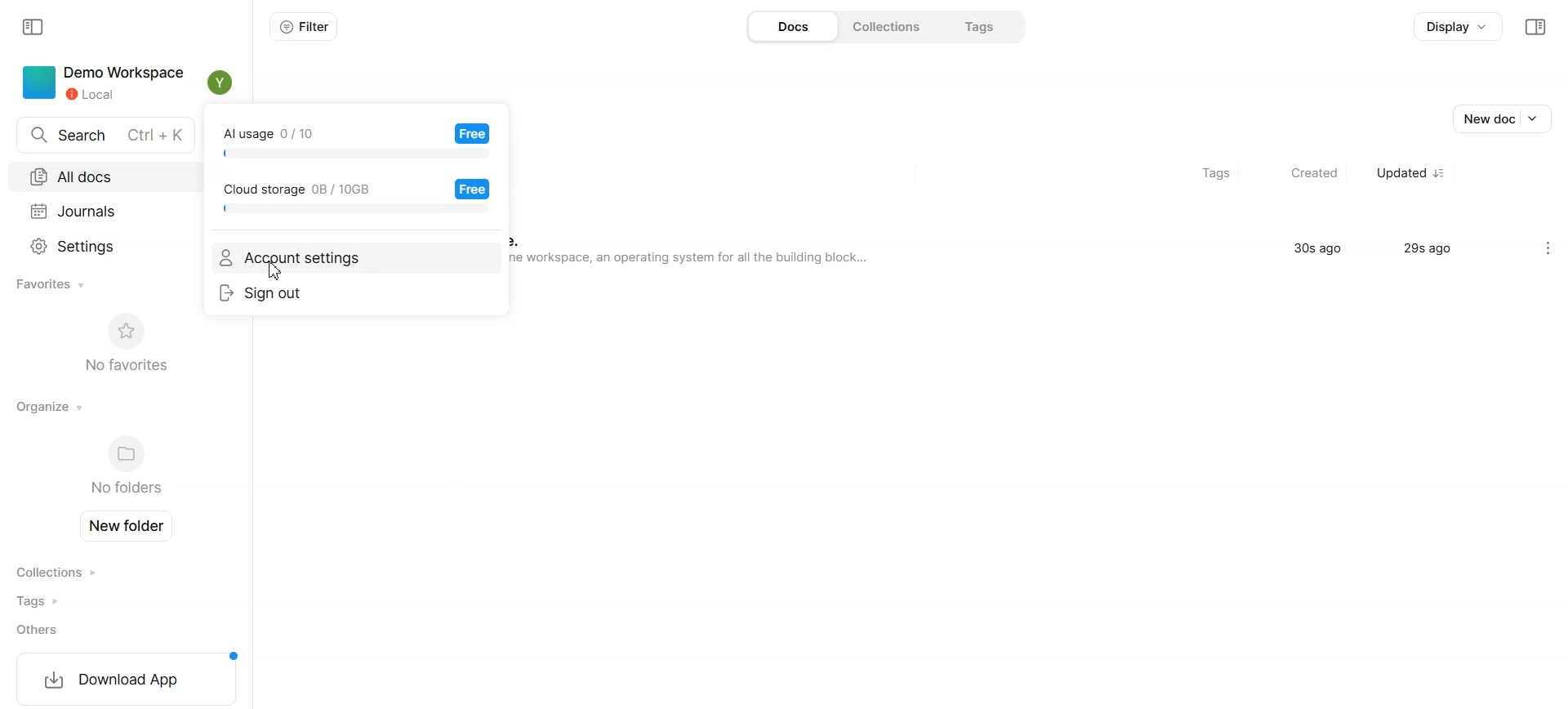  I want to click on Cursor, so click(275, 271).